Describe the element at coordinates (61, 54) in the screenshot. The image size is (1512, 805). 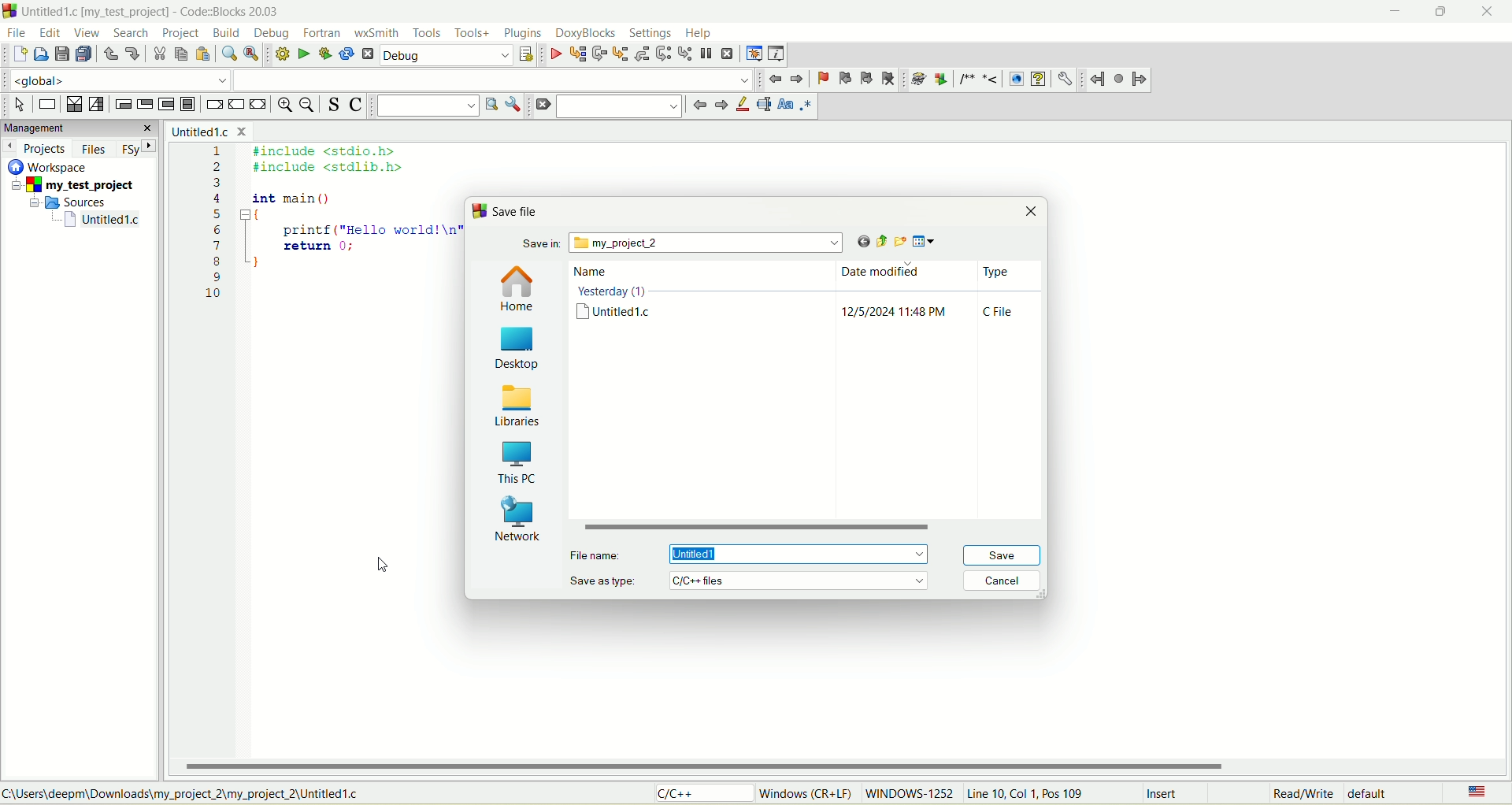
I see `save` at that location.